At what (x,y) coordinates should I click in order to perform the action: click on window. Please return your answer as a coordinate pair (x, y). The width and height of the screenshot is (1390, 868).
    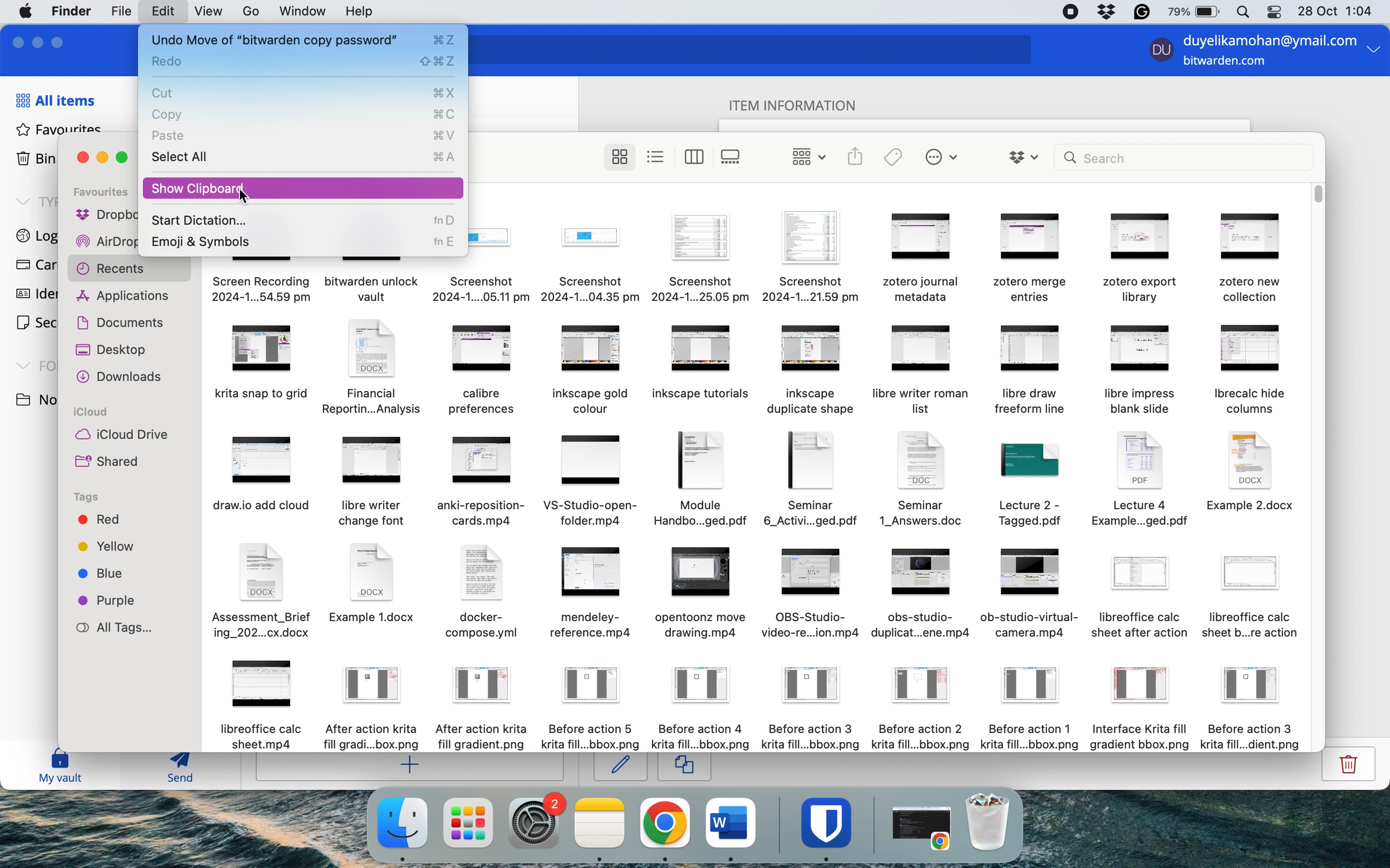
    Looking at the image, I should click on (302, 12).